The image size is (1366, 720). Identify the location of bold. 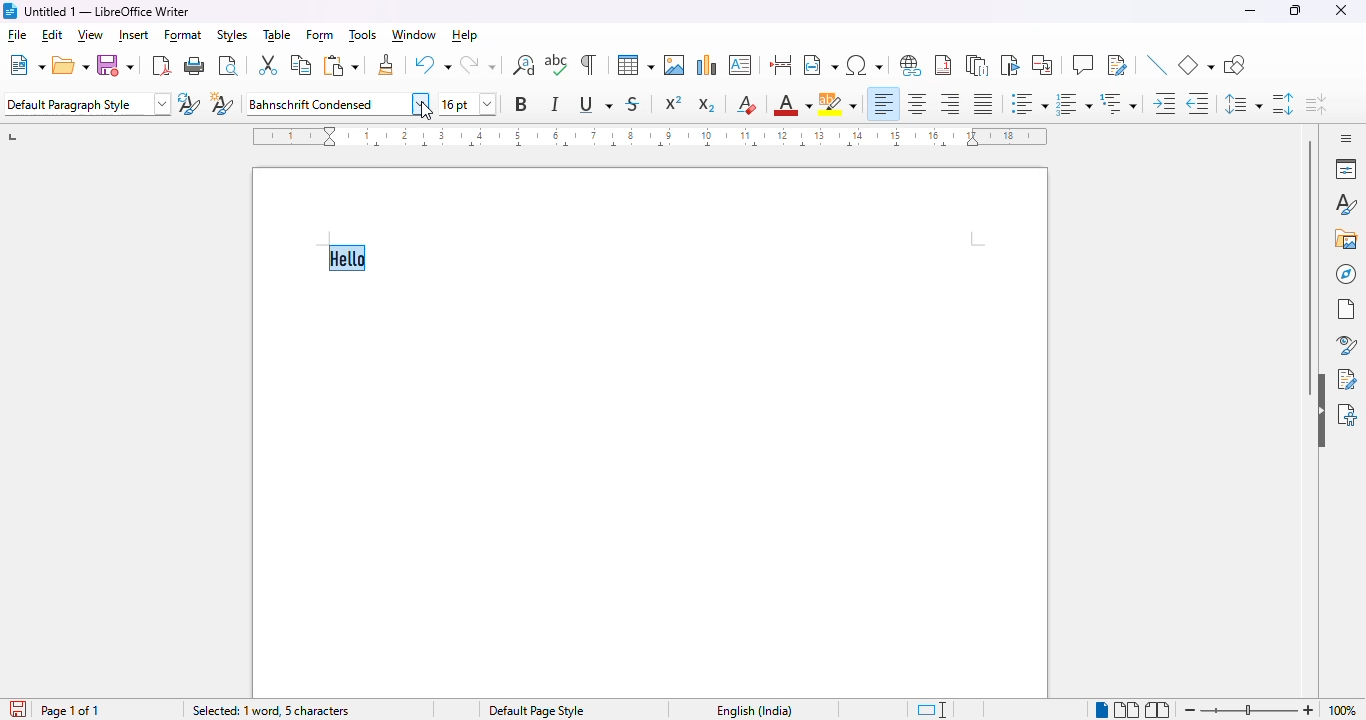
(521, 104).